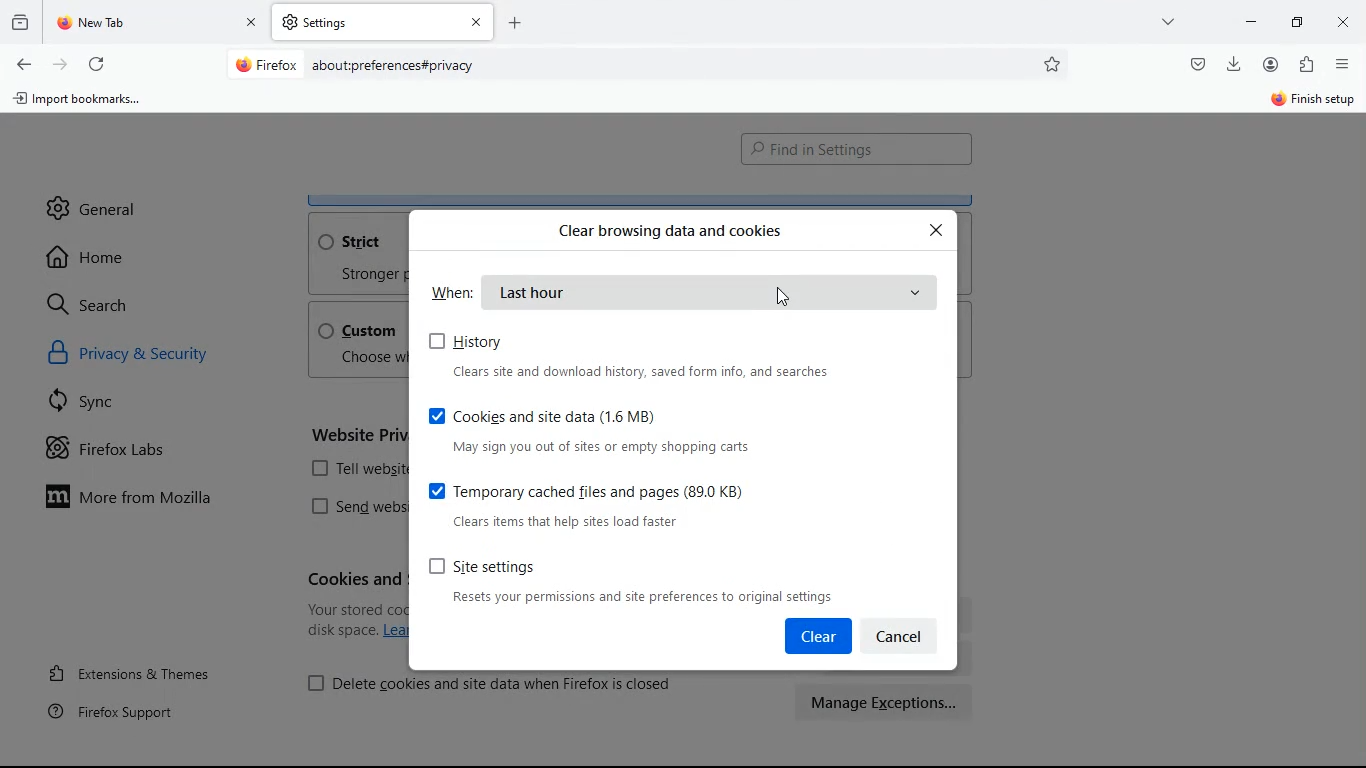 This screenshot has height=768, width=1366. I want to click on manage exceptions, so click(886, 702).